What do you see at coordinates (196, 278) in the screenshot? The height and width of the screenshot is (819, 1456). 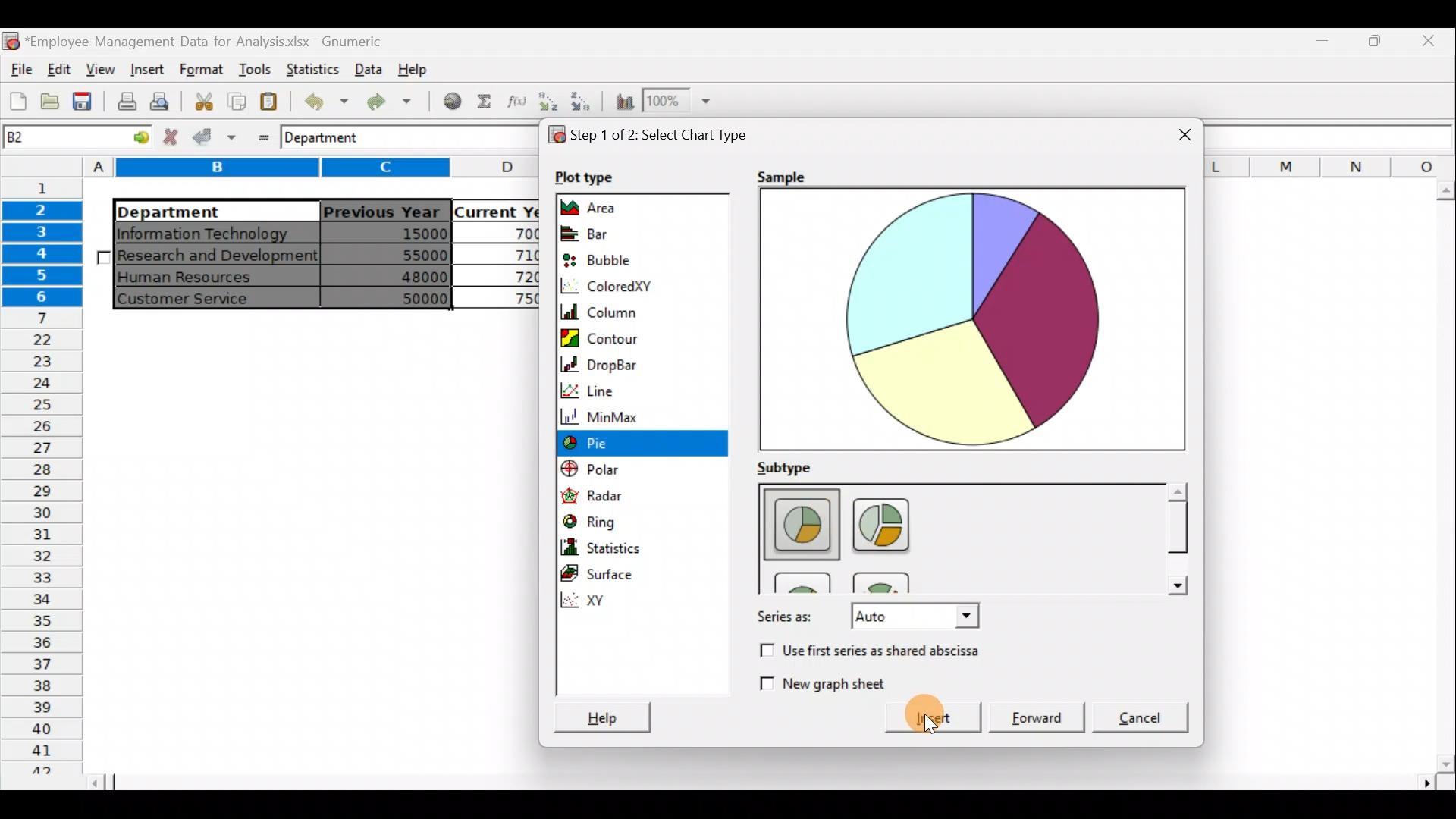 I see `Human Resources` at bounding box center [196, 278].